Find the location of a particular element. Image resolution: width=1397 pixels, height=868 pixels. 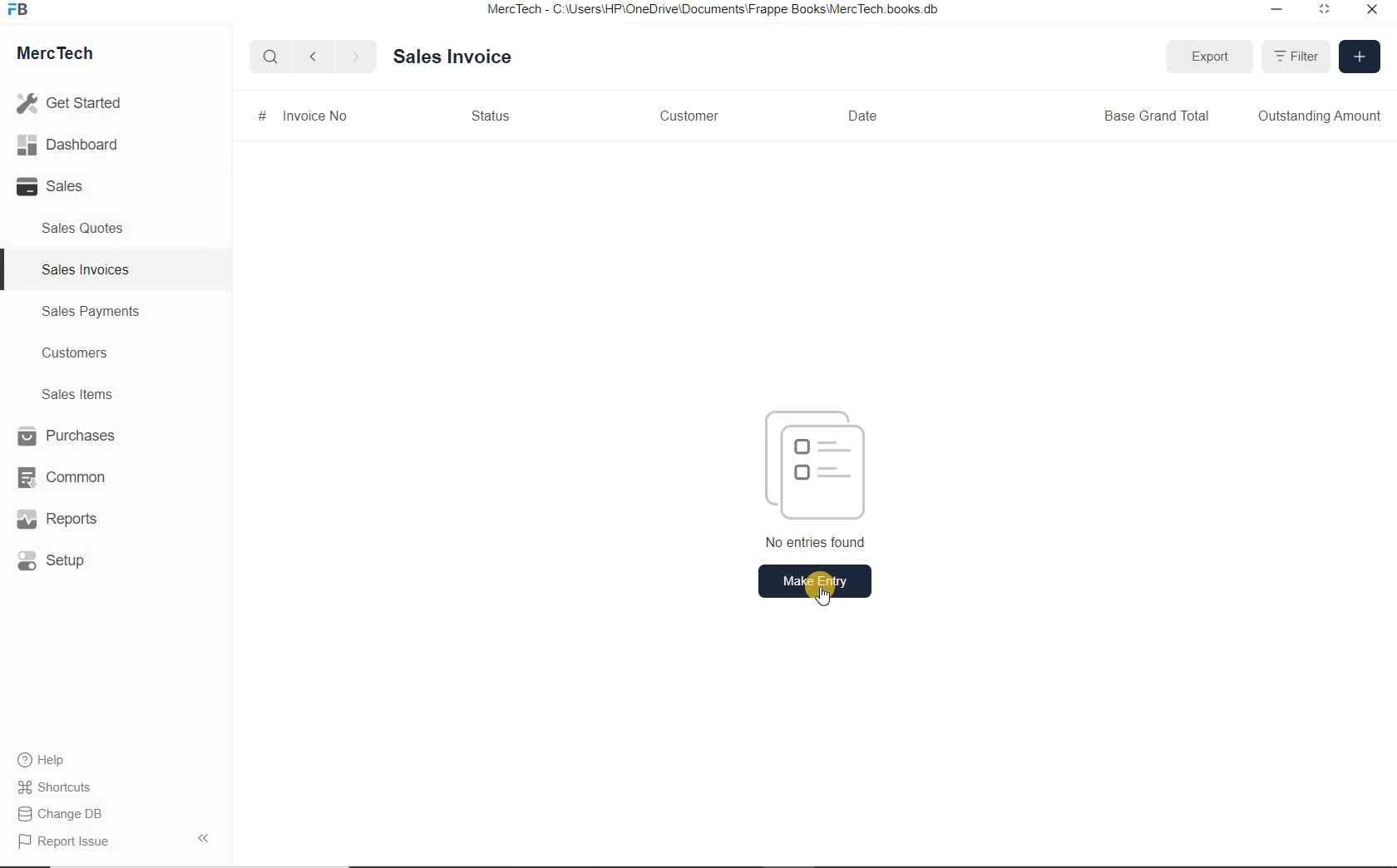

Base Grand Total is located at coordinates (1157, 116).